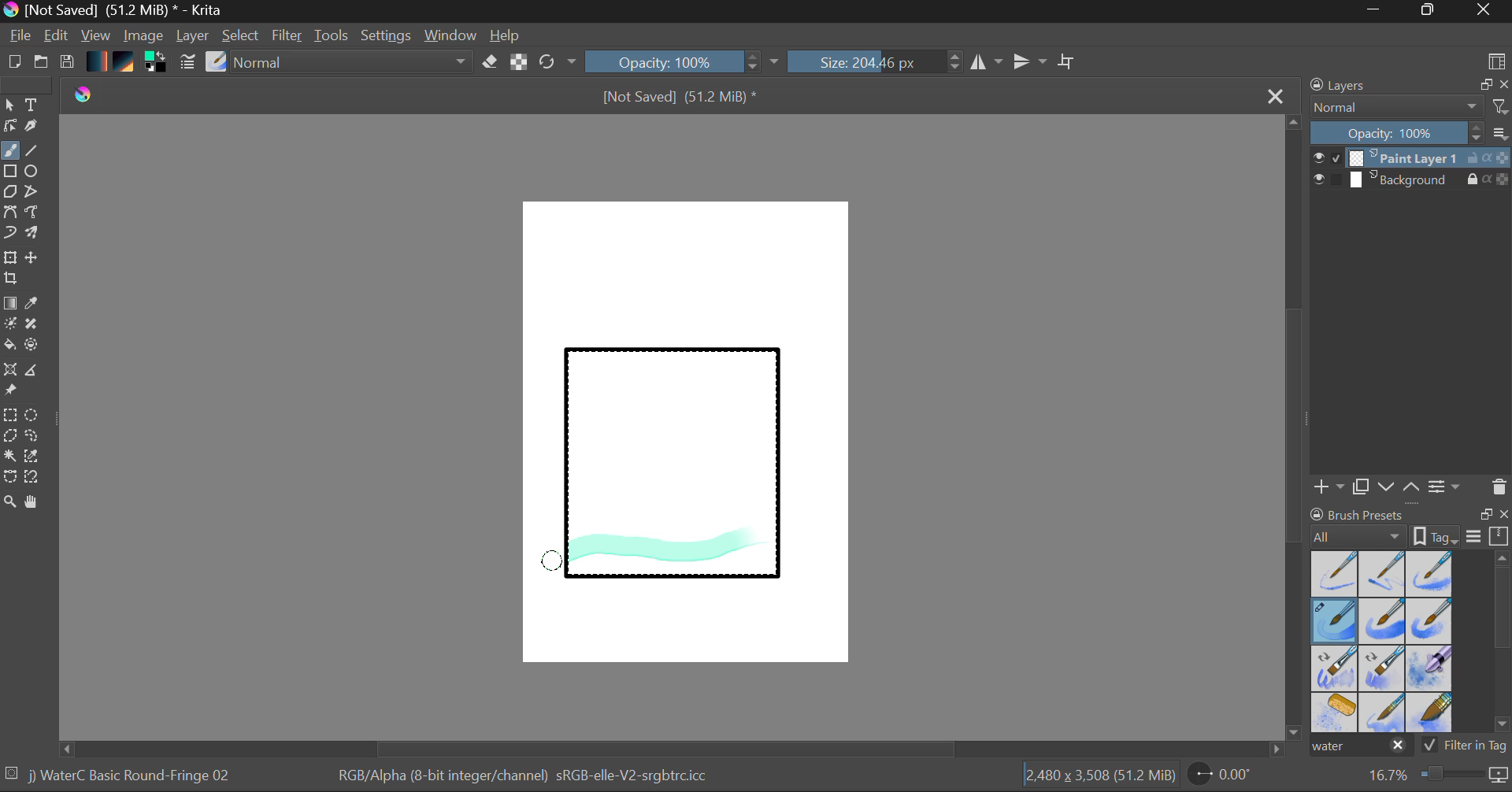 Image resolution: width=1512 pixels, height=792 pixels. What do you see at coordinates (186, 63) in the screenshot?
I see `Brush Settings` at bounding box center [186, 63].